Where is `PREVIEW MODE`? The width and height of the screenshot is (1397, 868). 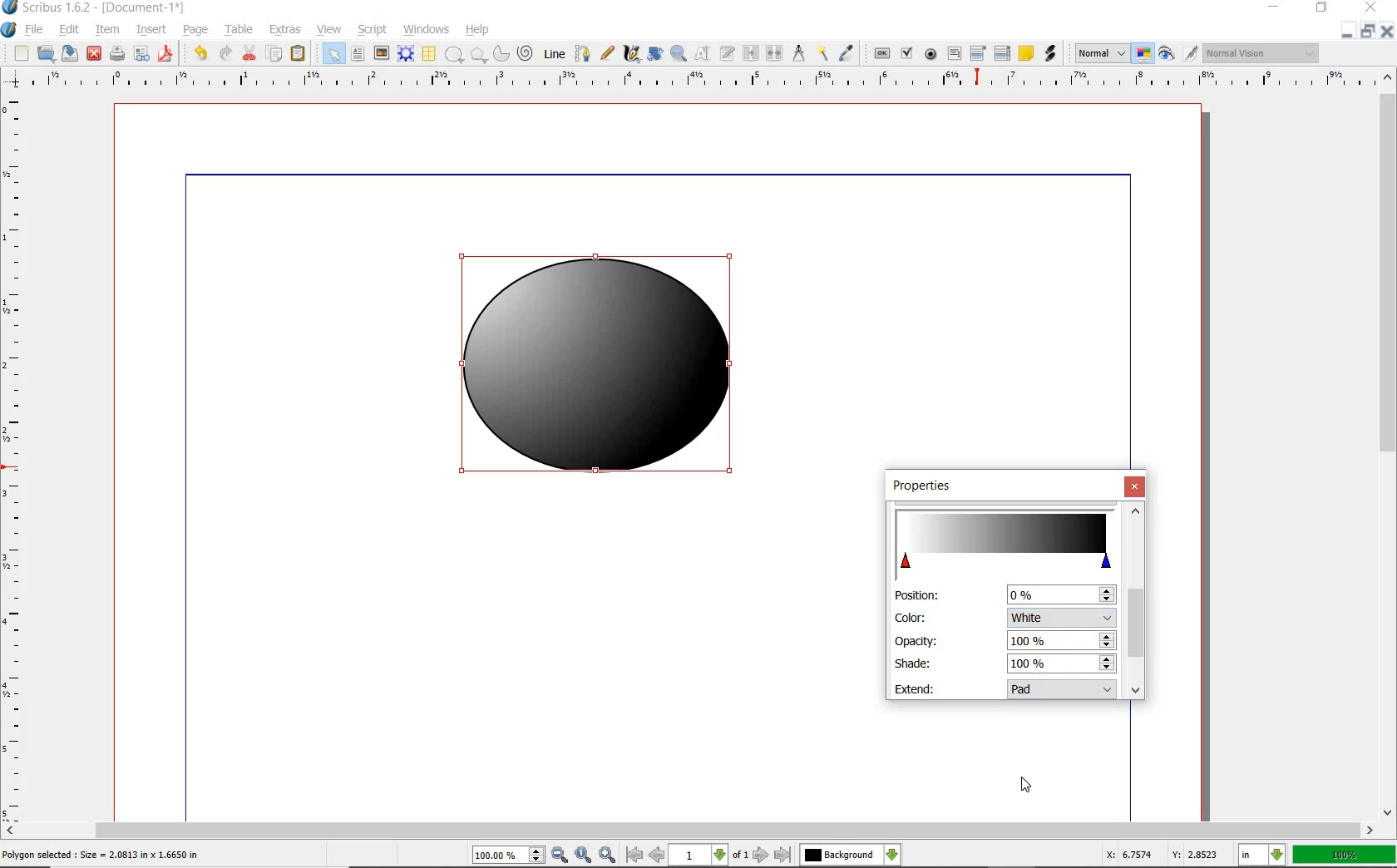
PREVIEW MODE is located at coordinates (1165, 54).